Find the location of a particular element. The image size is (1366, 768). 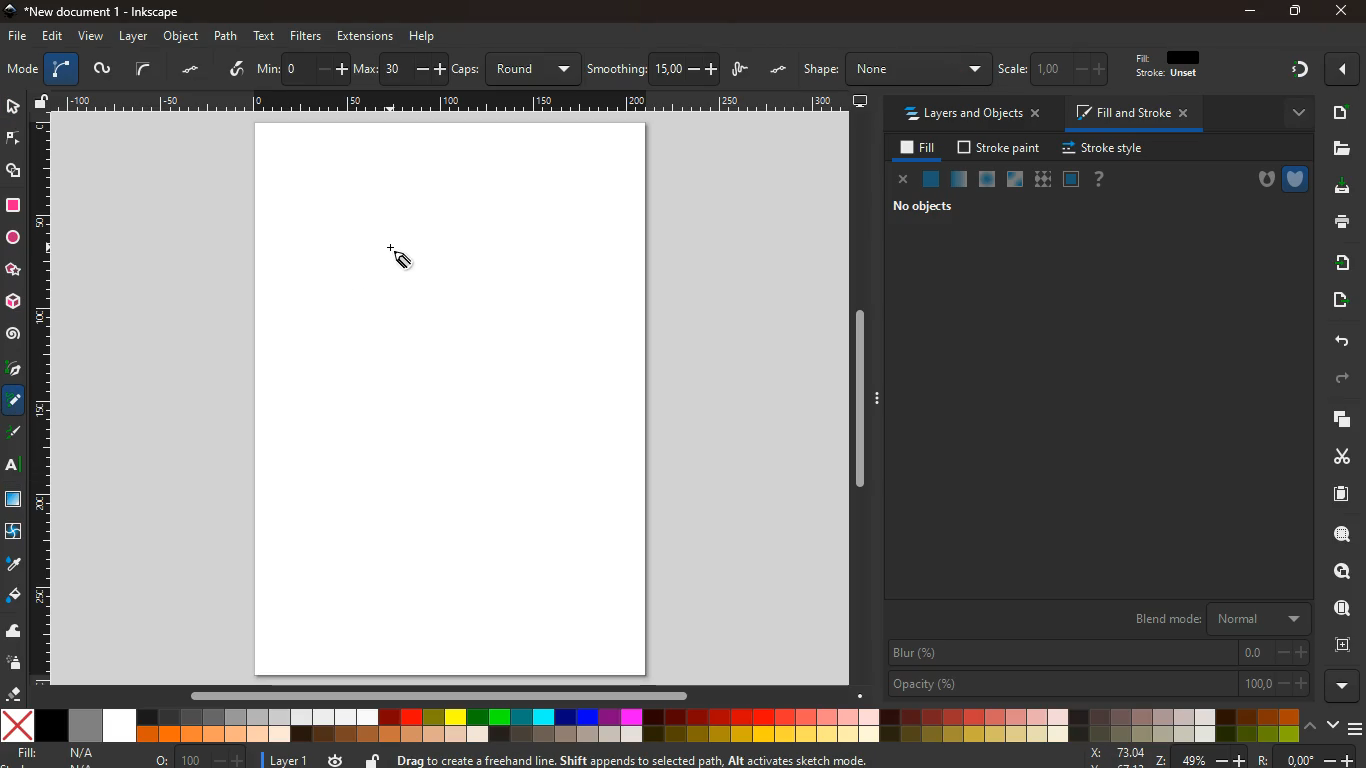

spiral is located at coordinates (13, 334).